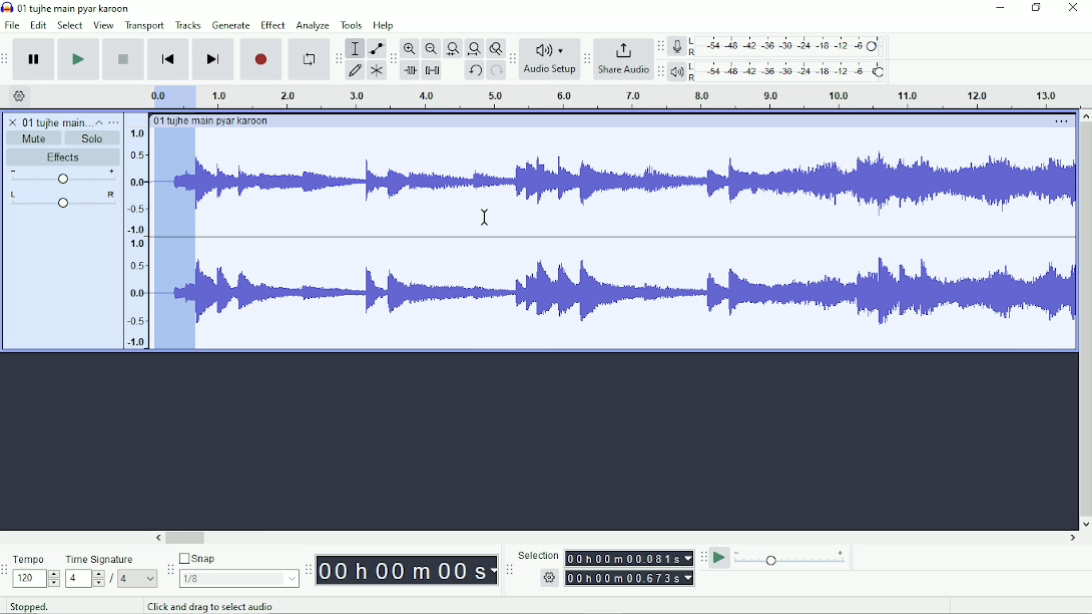 The image size is (1092, 614). What do you see at coordinates (617, 539) in the screenshot?
I see `Horizontal scrollbar` at bounding box center [617, 539].